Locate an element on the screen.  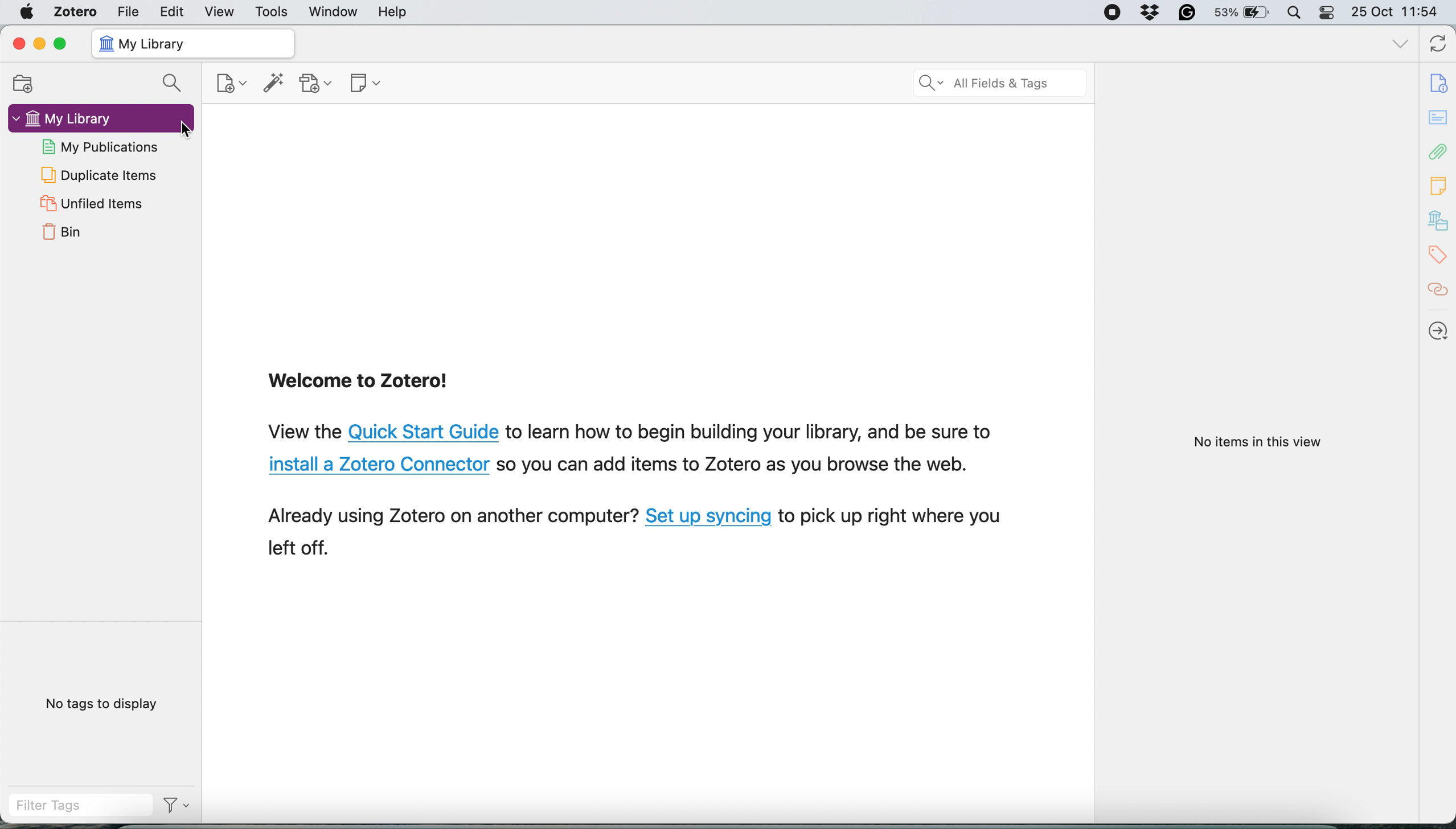
locate is located at coordinates (1439, 327).